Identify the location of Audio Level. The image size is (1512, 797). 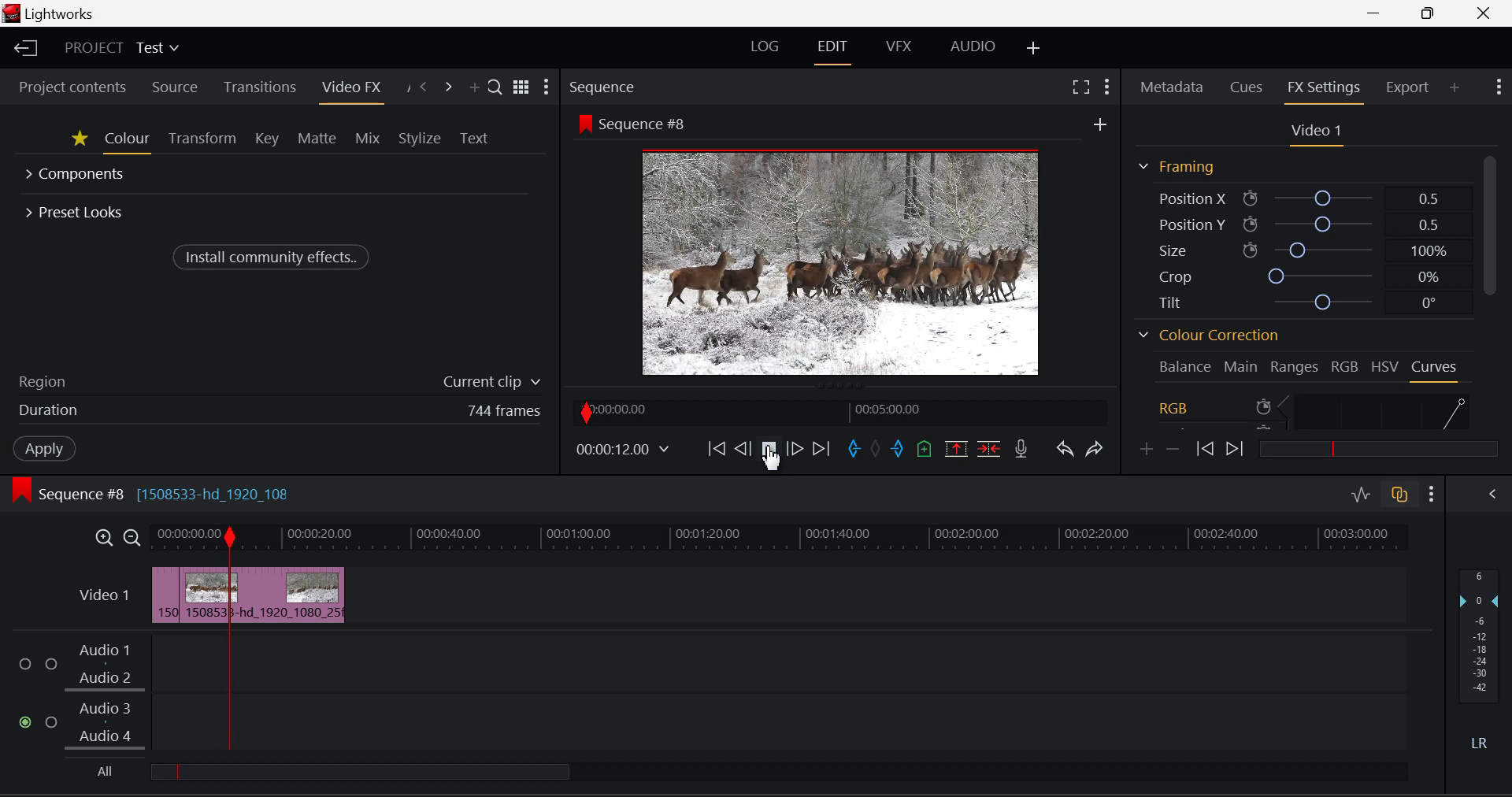
(717, 691).